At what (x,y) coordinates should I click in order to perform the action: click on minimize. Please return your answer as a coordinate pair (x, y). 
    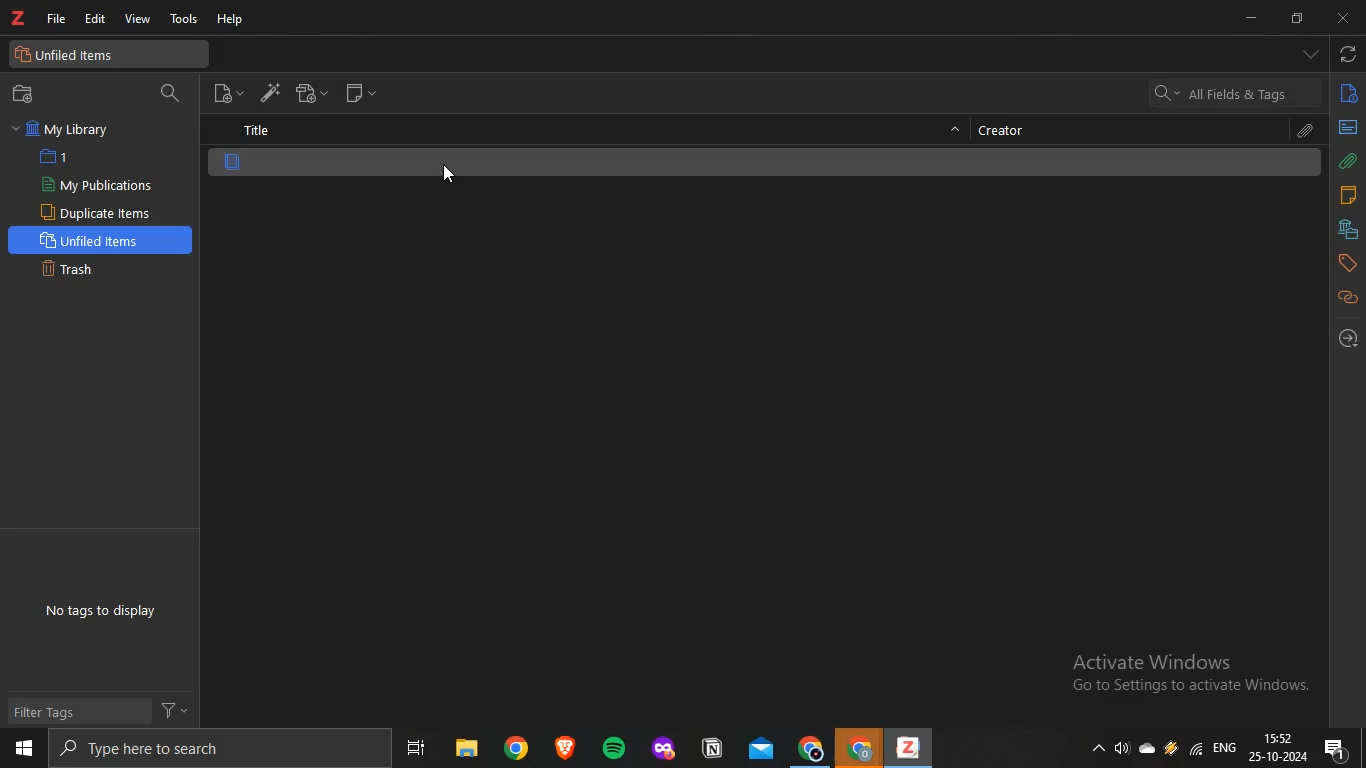
    Looking at the image, I should click on (1255, 19).